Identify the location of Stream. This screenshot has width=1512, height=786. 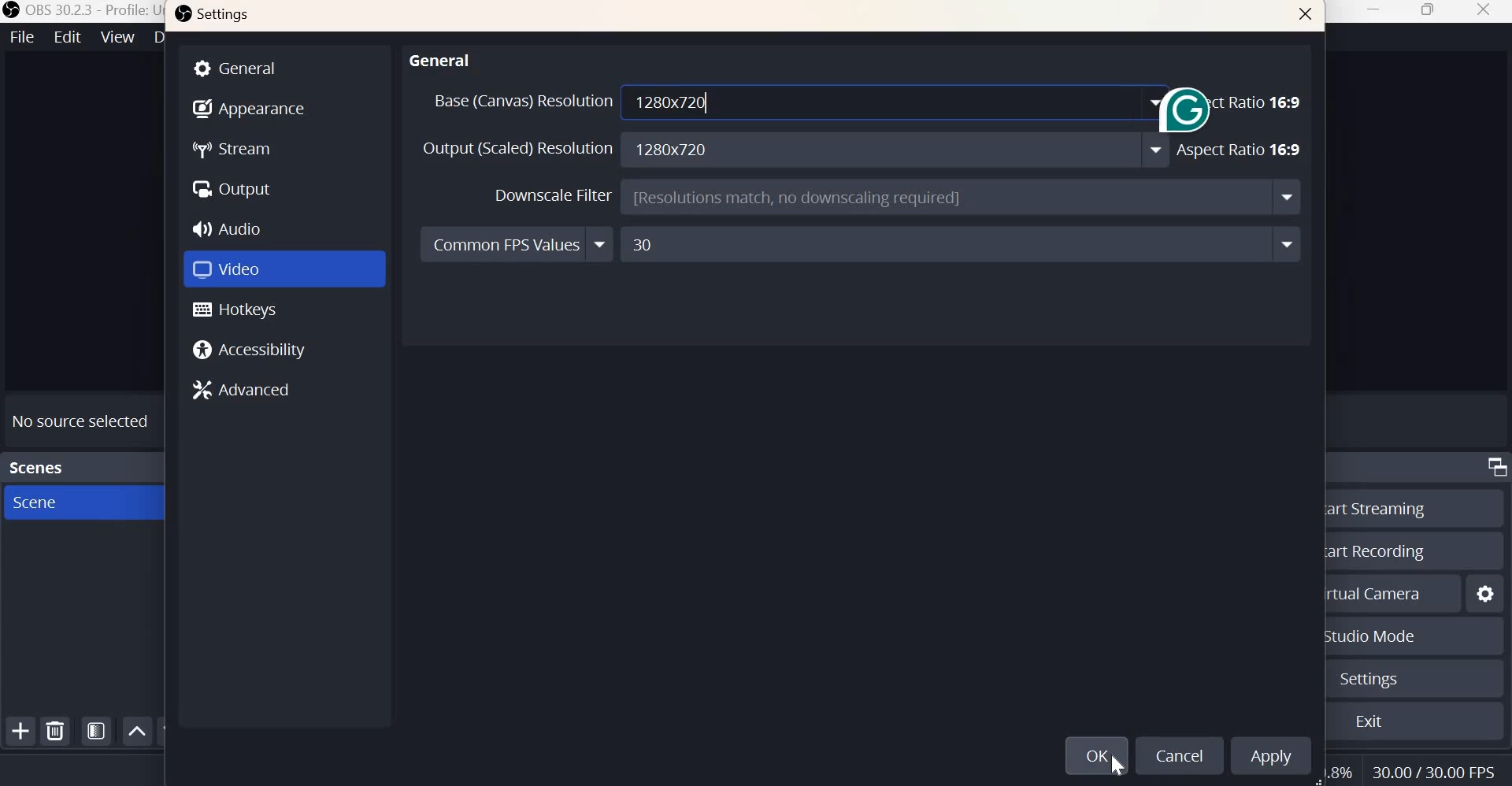
(235, 150).